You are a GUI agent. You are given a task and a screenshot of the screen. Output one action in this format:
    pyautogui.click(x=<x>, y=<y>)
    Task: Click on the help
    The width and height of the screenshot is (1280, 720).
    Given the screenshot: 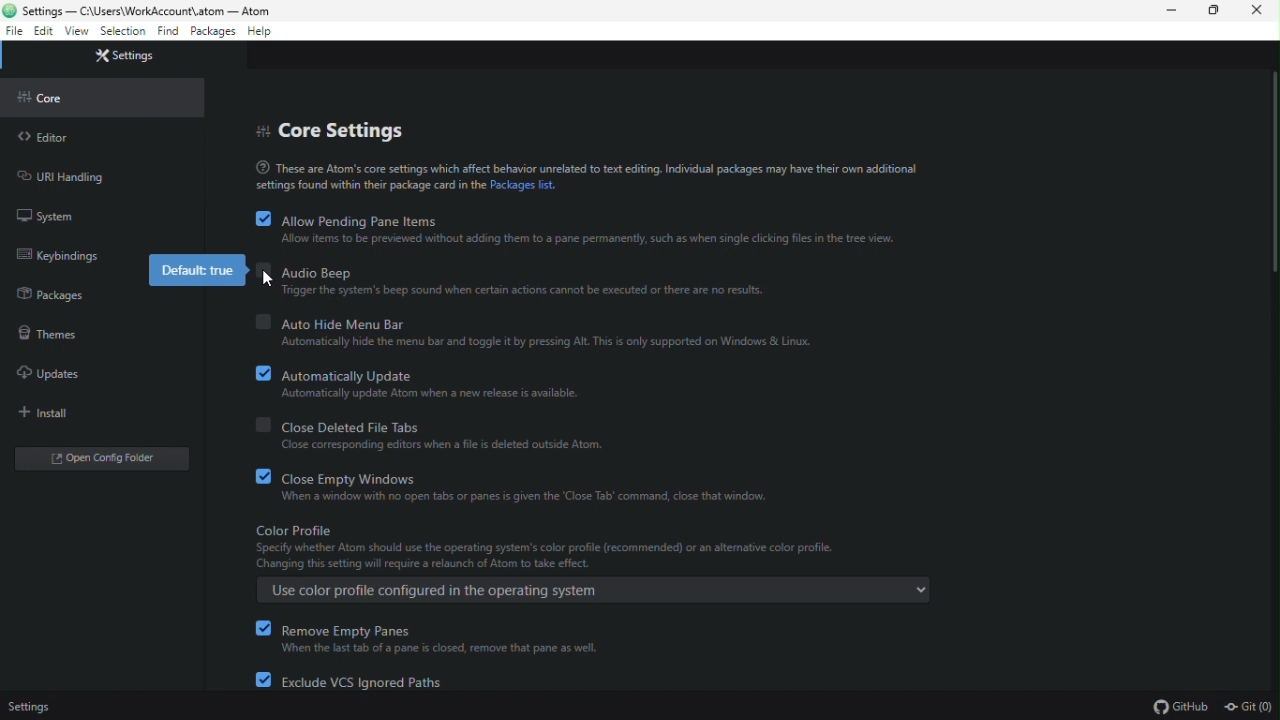 What is the action you would take?
    pyautogui.click(x=272, y=33)
    